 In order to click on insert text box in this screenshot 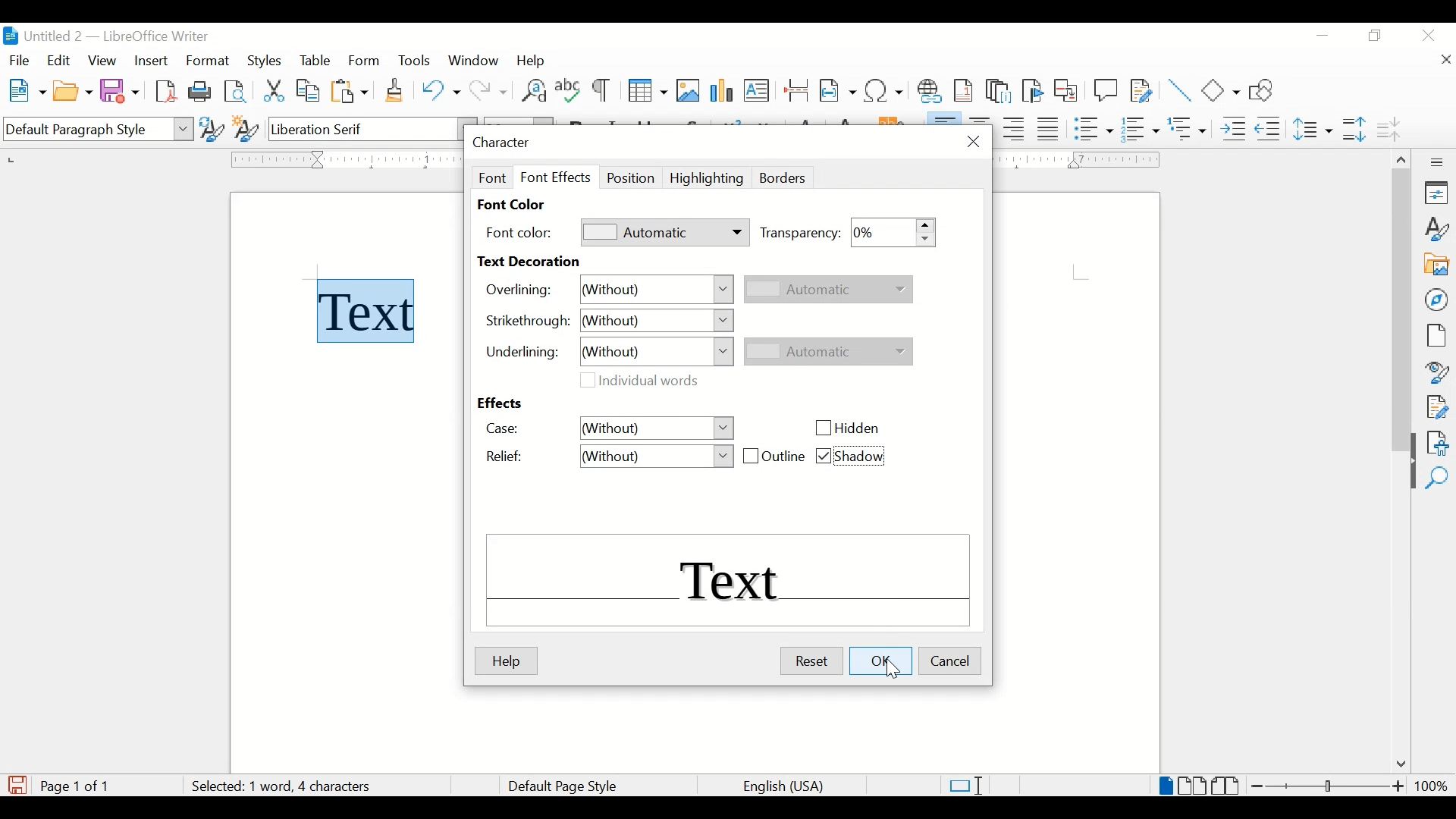, I will do `click(756, 90)`.